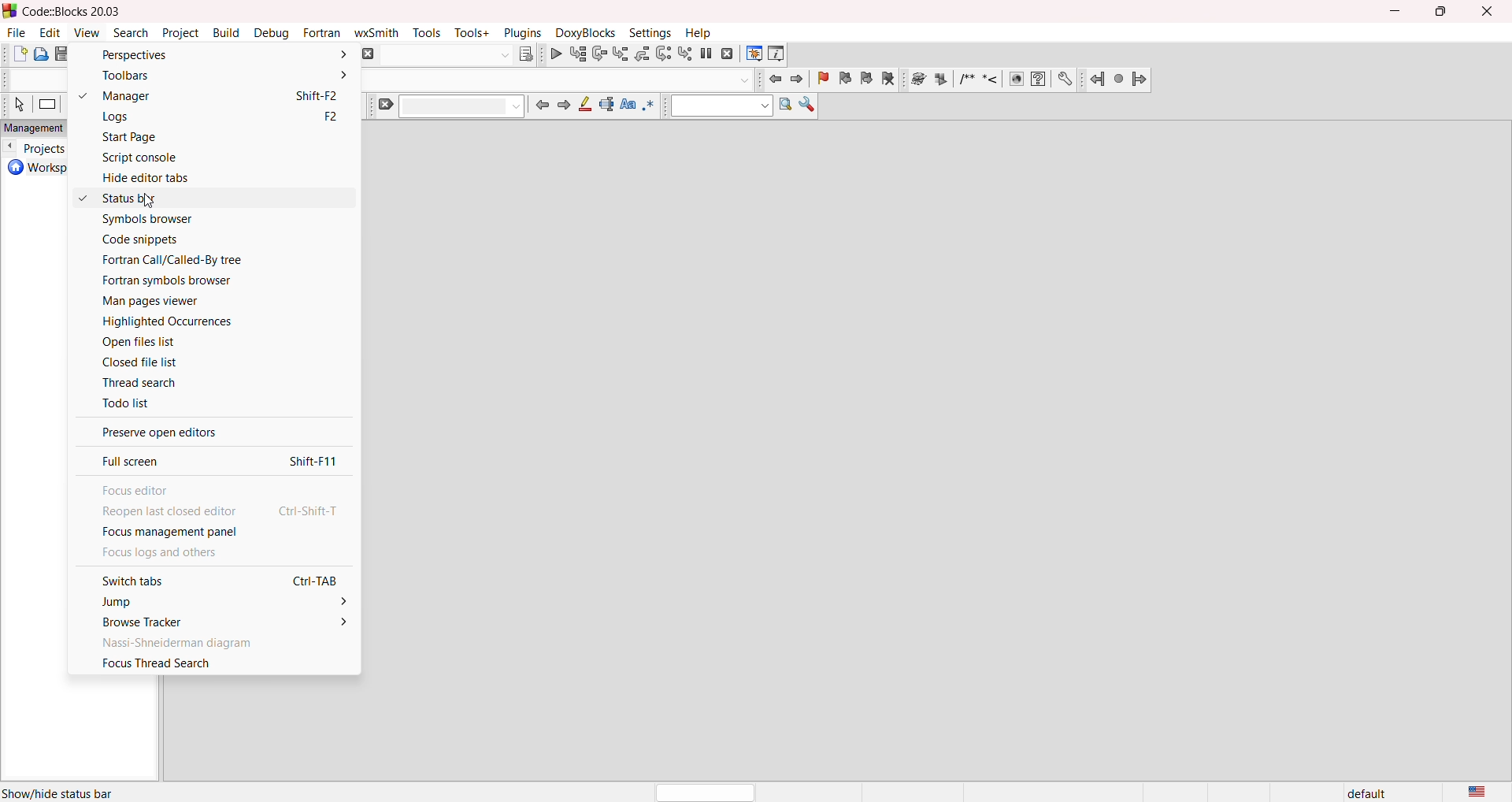 The width and height of the screenshot is (1512, 802). What do you see at coordinates (965, 79) in the screenshot?
I see `Insert block` at bounding box center [965, 79].